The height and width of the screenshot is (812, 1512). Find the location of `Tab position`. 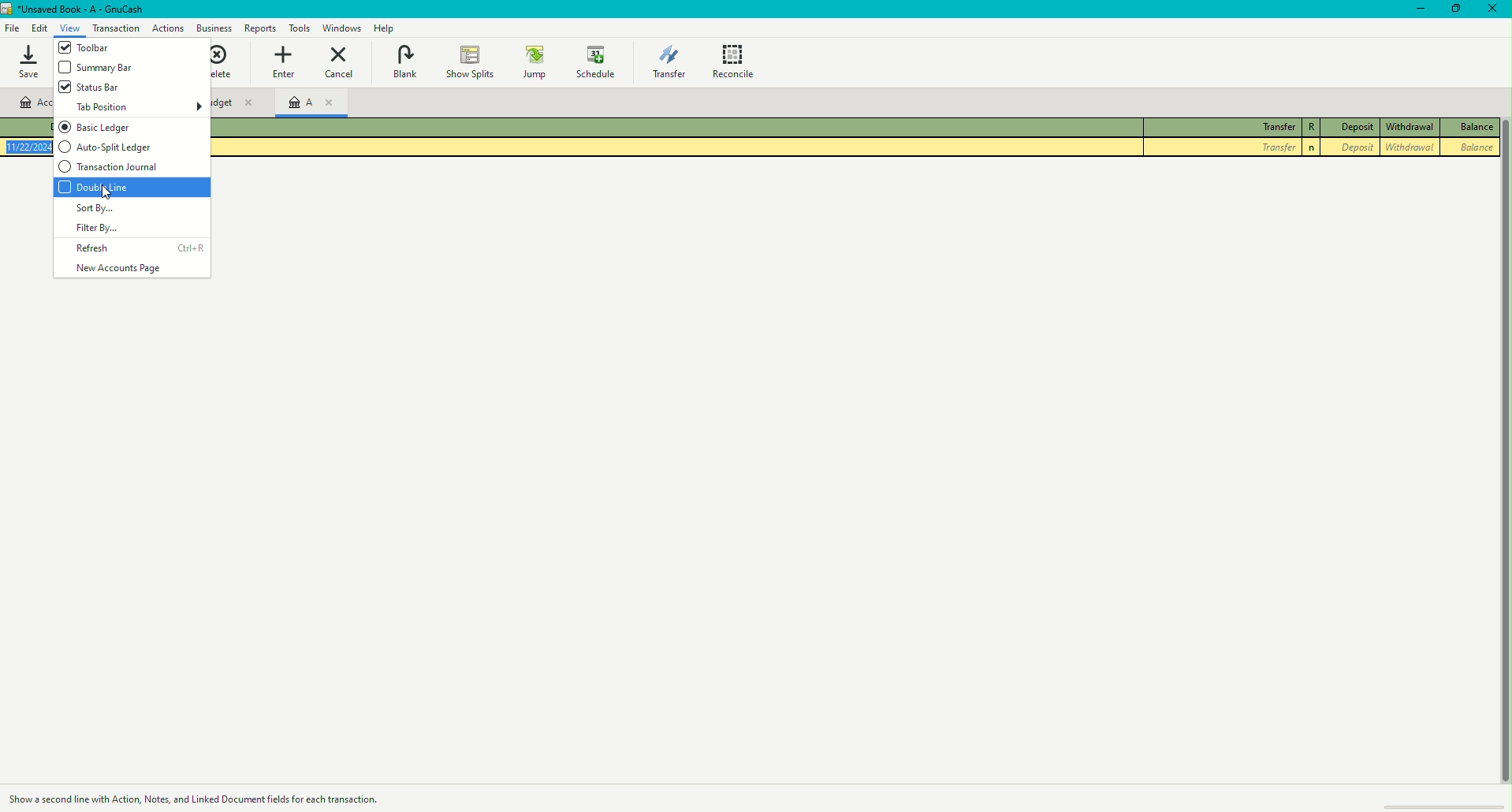

Tab position is located at coordinates (136, 107).